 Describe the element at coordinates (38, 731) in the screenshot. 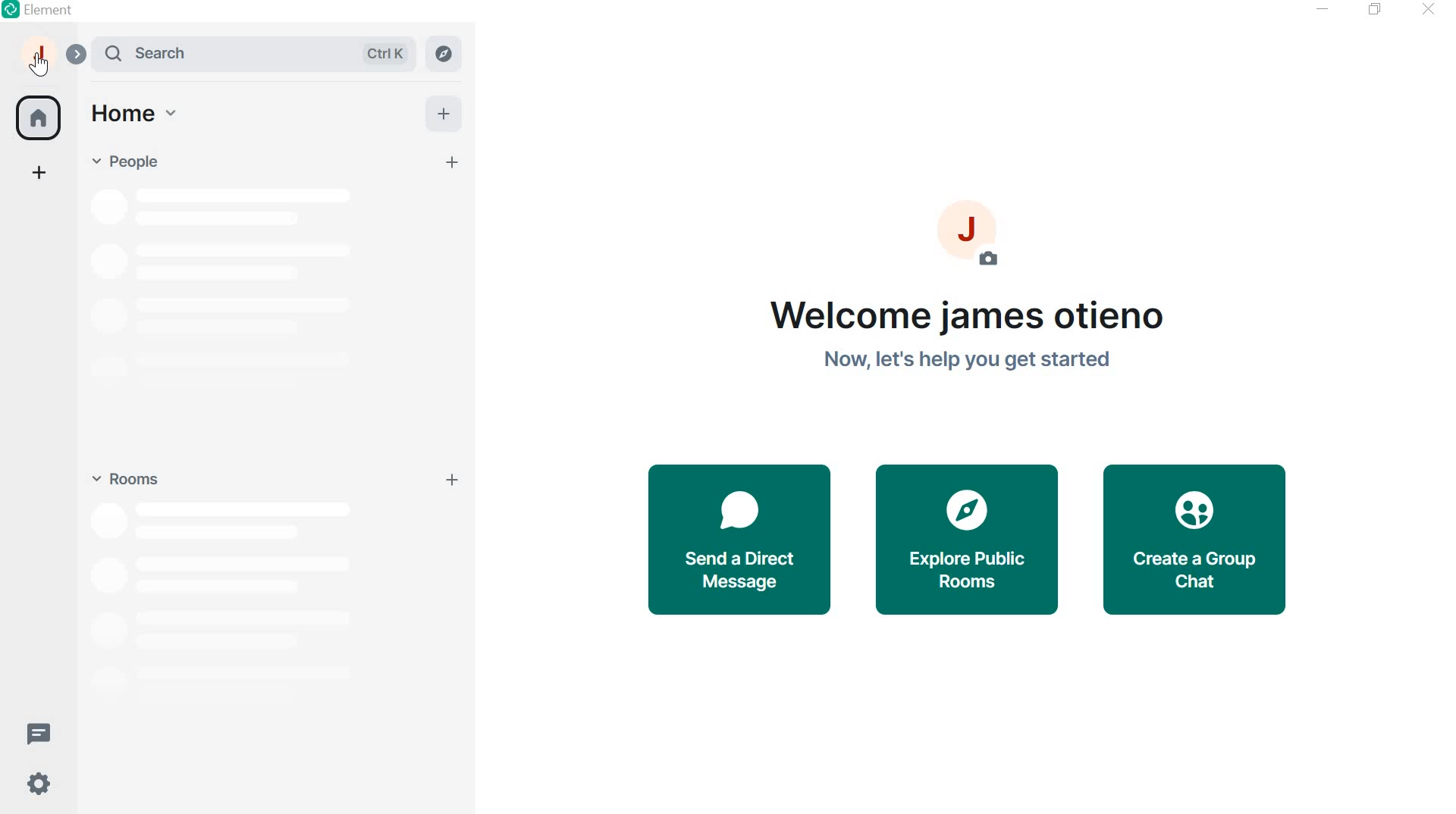

I see `THREADS` at that location.